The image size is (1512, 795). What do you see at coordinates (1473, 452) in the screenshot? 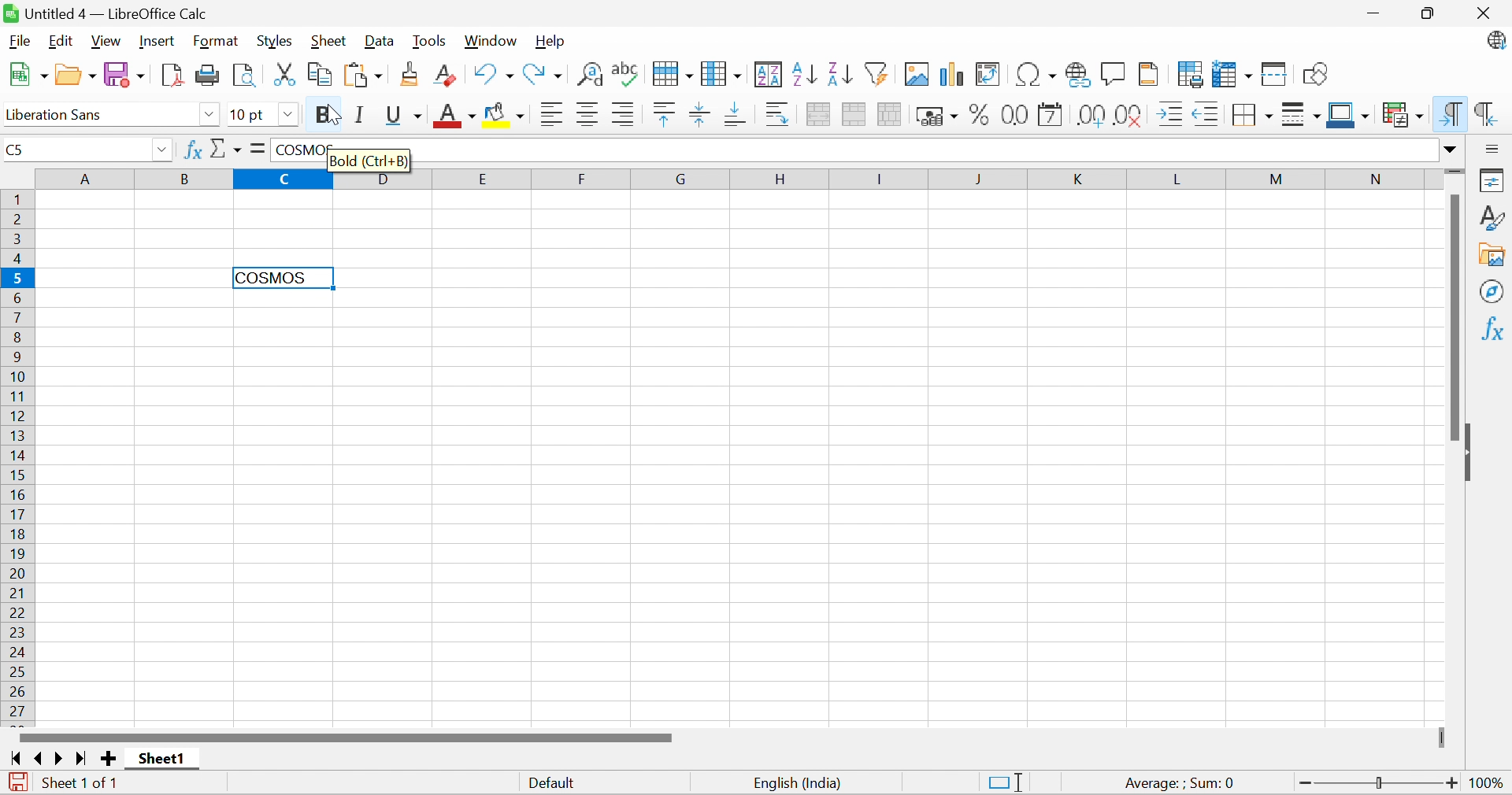
I see `Hide` at bounding box center [1473, 452].